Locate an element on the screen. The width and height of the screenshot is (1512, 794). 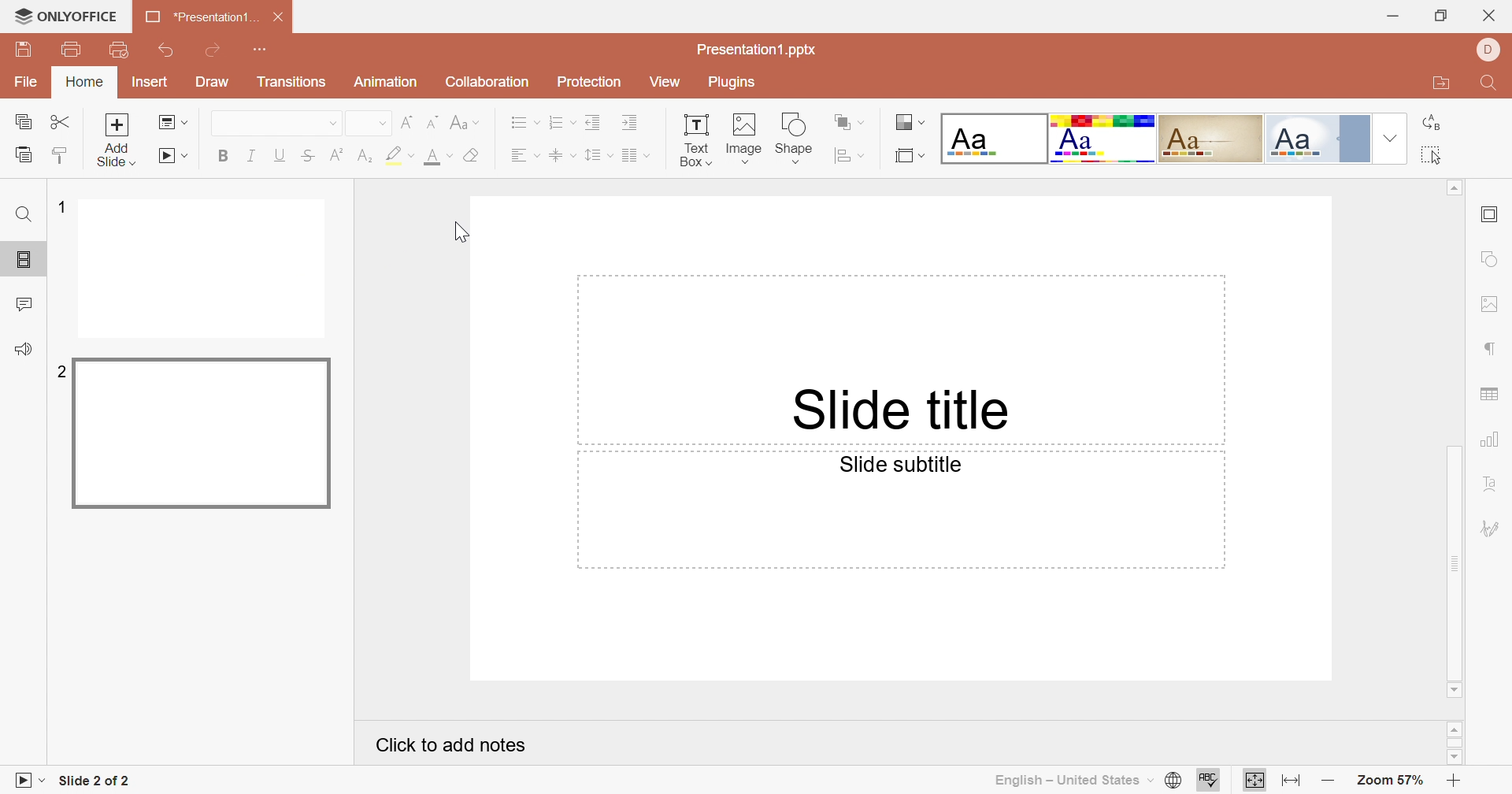
Click to add notes is located at coordinates (452, 744).